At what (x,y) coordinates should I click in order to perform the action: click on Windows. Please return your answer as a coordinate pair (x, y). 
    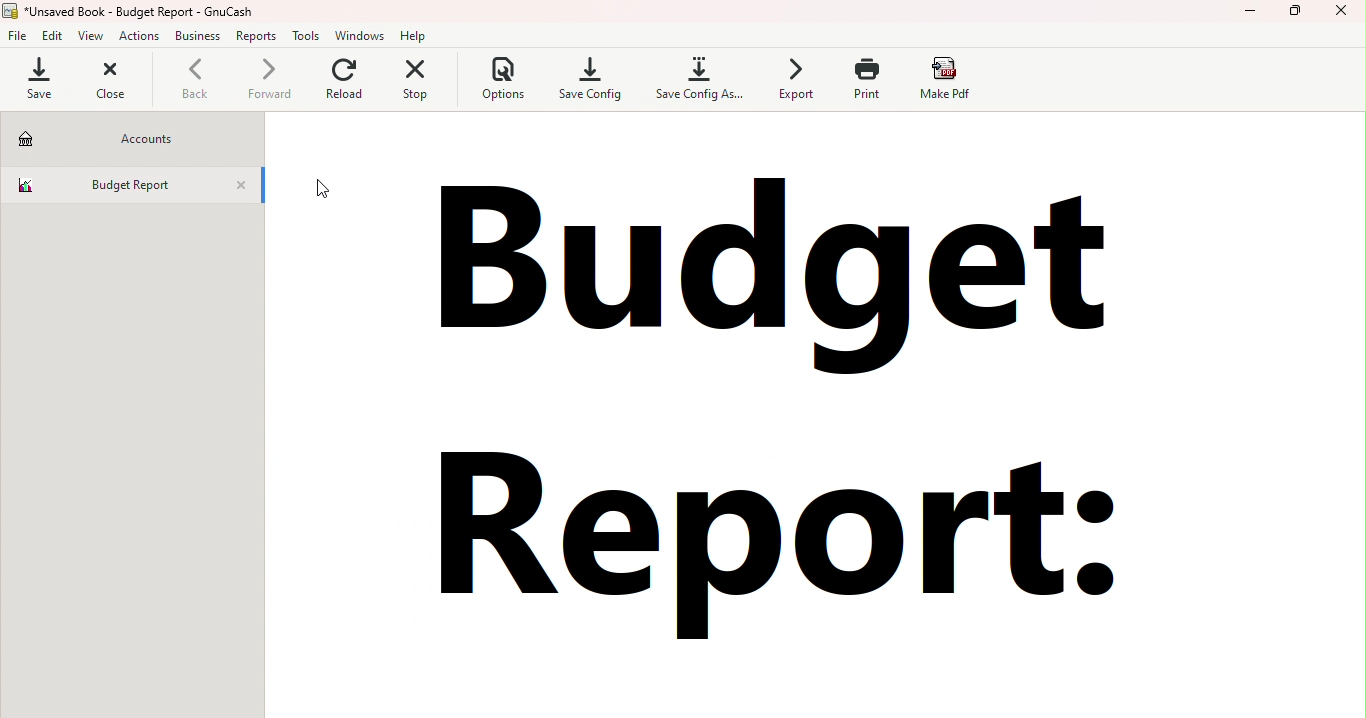
    Looking at the image, I should click on (362, 34).